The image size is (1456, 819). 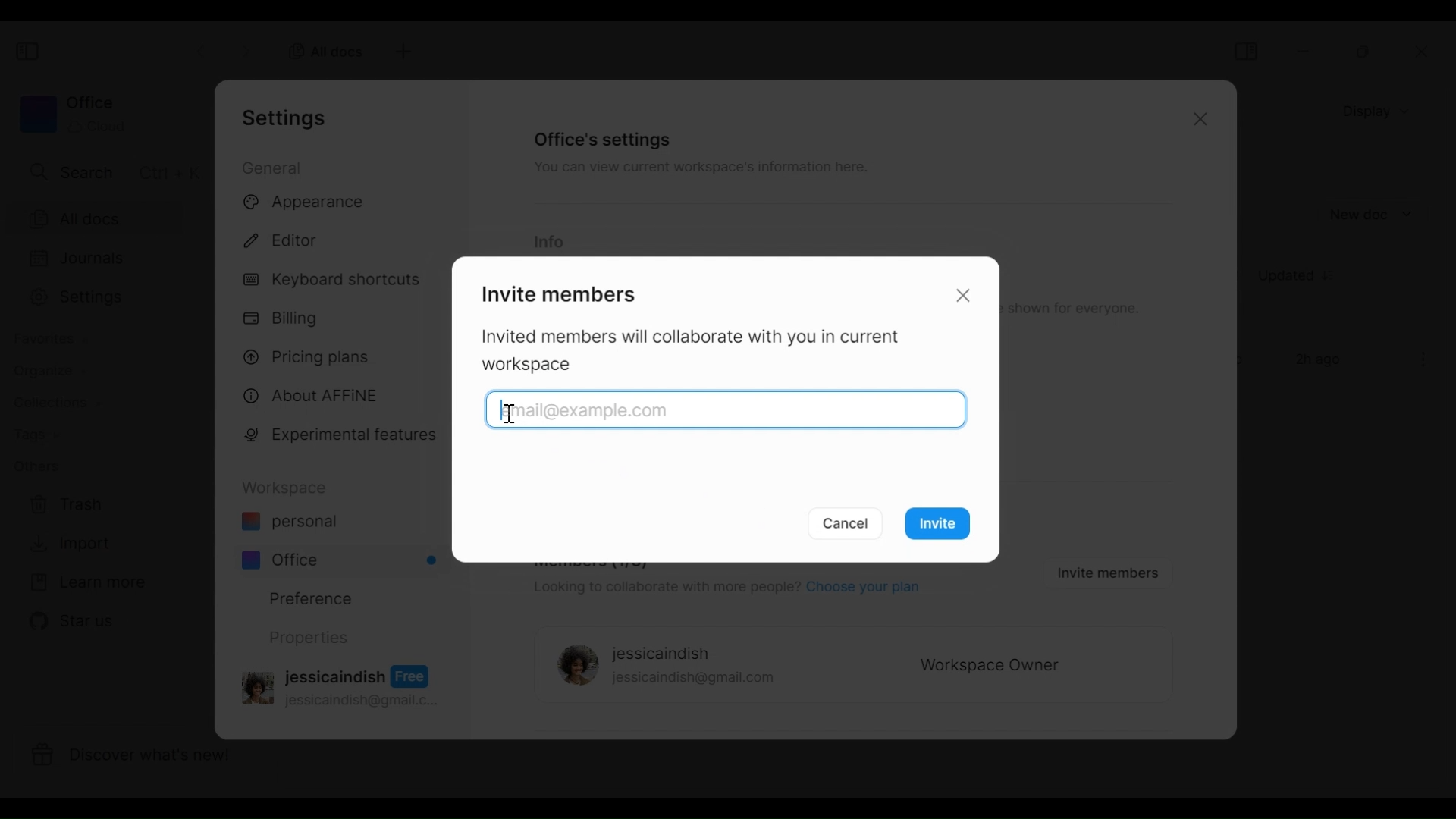 What do you see at coordinates (309, 203) in the screenshot?
I see `Appearance` at bounding box center [309, 203].